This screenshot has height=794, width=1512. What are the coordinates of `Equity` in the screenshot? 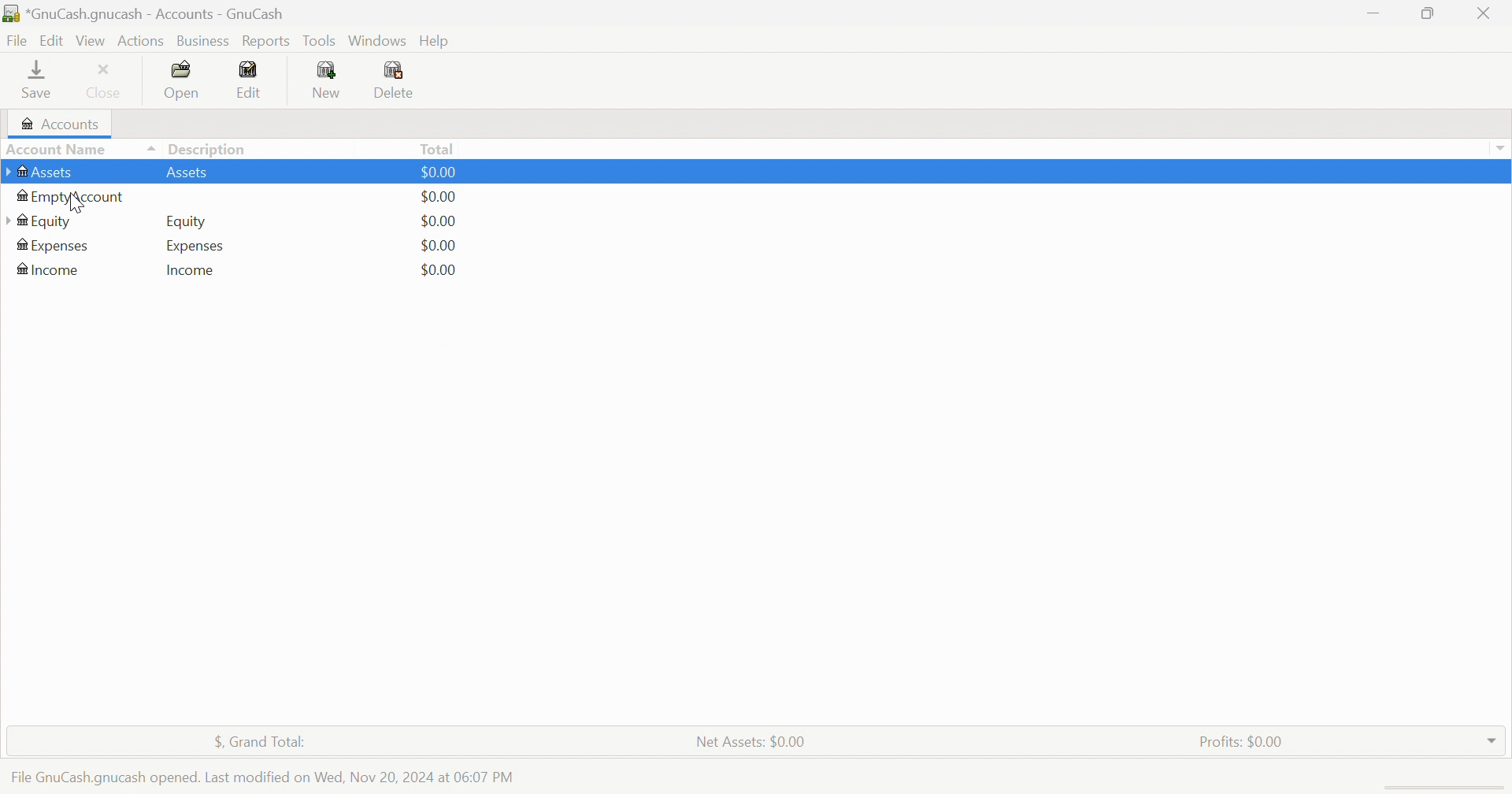 It's located at (43, 221).